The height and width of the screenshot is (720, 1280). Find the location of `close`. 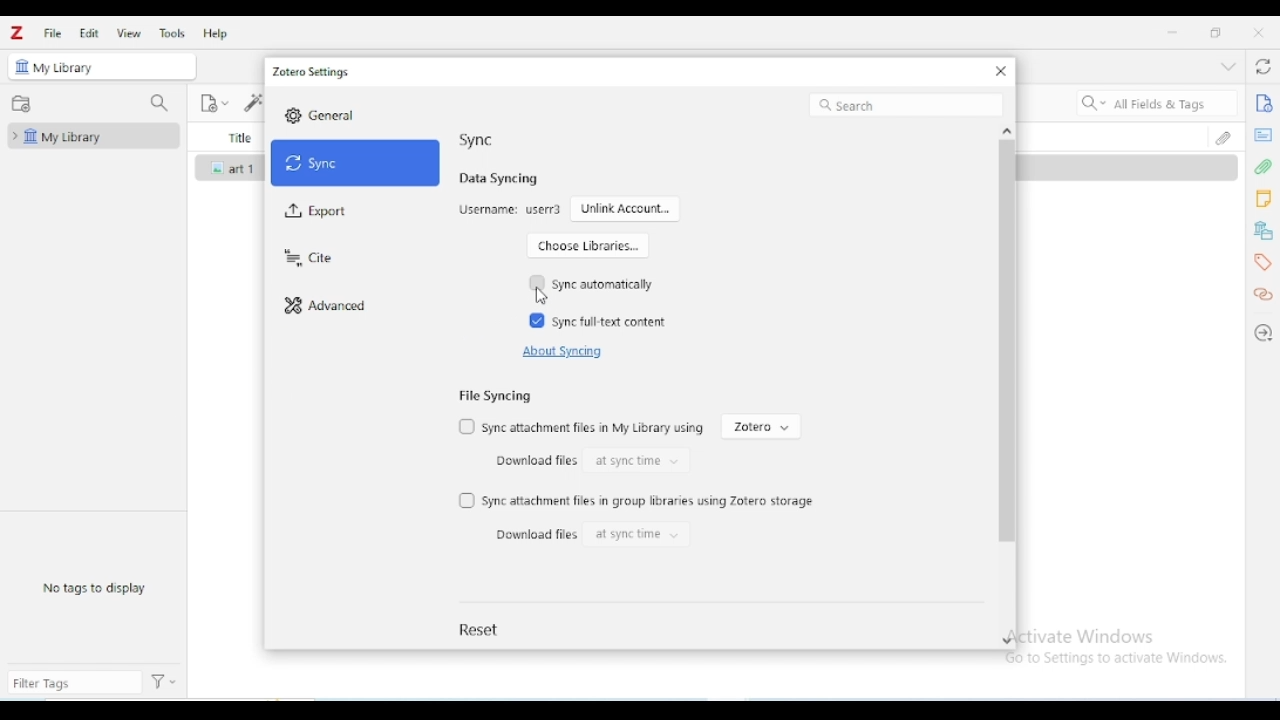

close is located at coordinates (1001, 71).